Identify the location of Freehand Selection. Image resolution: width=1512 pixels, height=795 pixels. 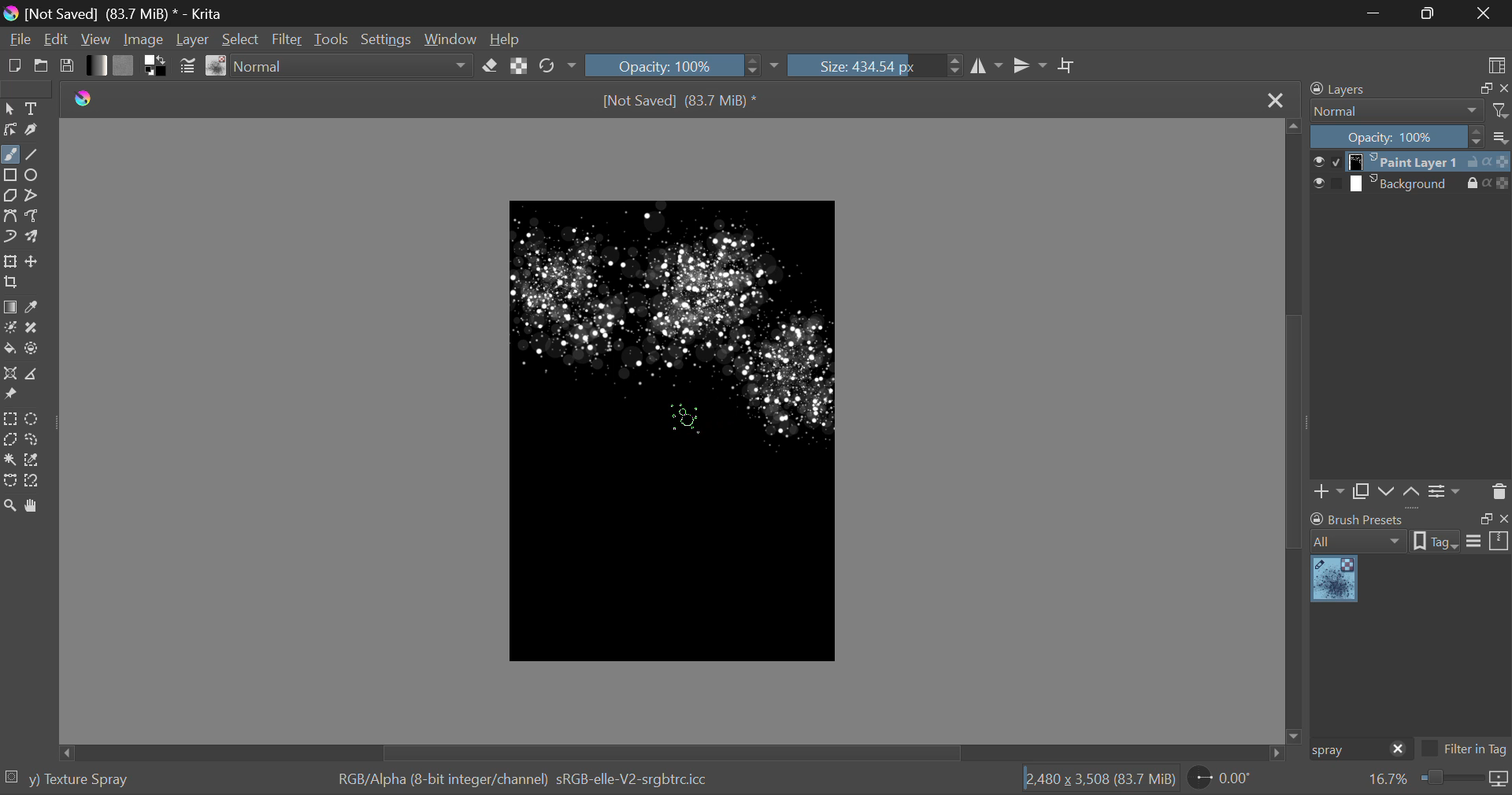
(33, 439).